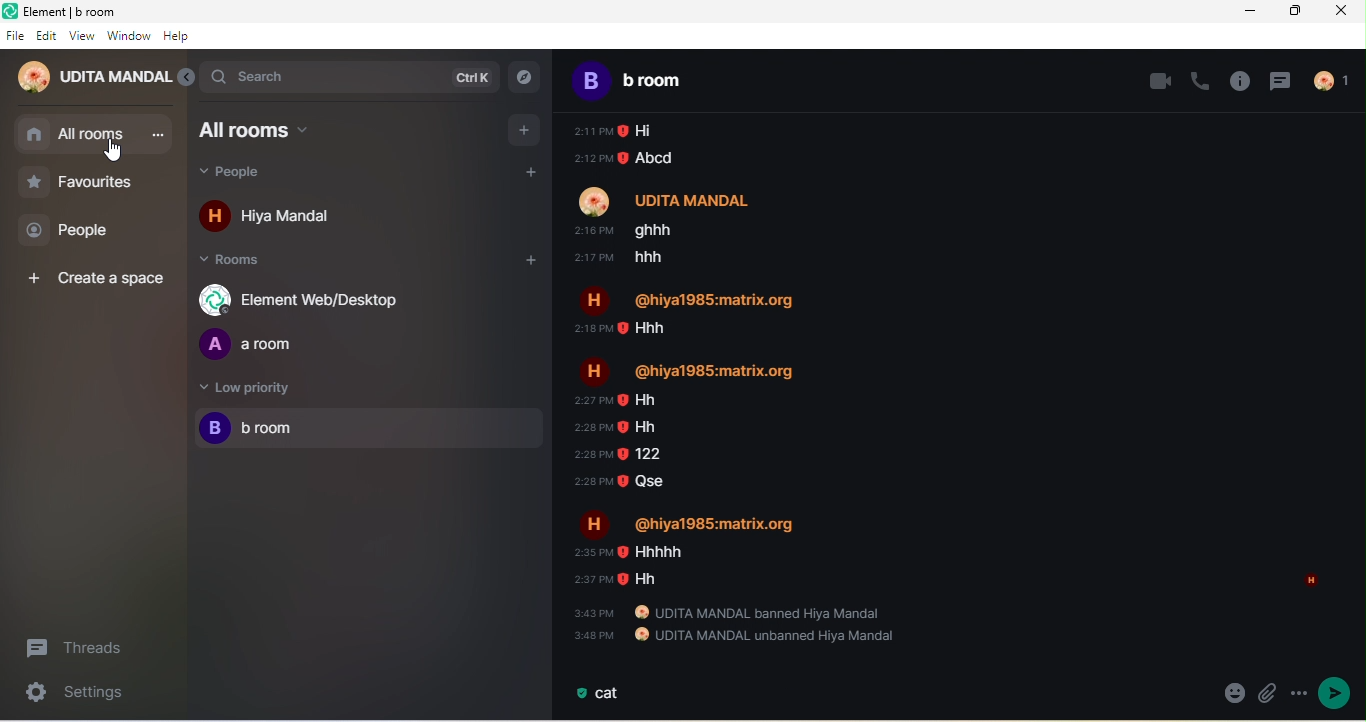 This screenshot has height=722, width=1366. I want to click on low priority, so click(247, 391).